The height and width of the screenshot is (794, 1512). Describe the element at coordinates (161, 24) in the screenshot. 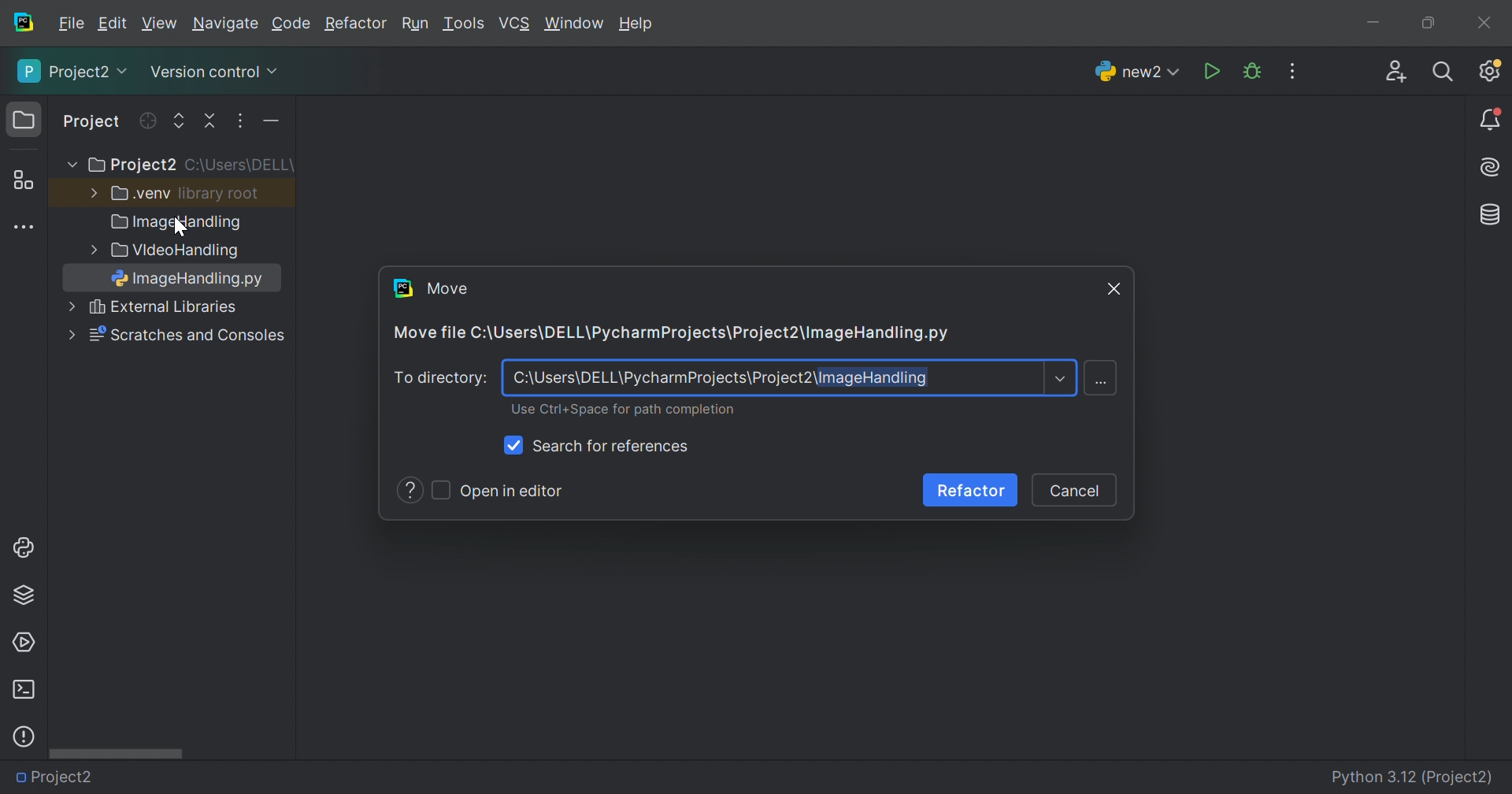

I see `View` at that location.